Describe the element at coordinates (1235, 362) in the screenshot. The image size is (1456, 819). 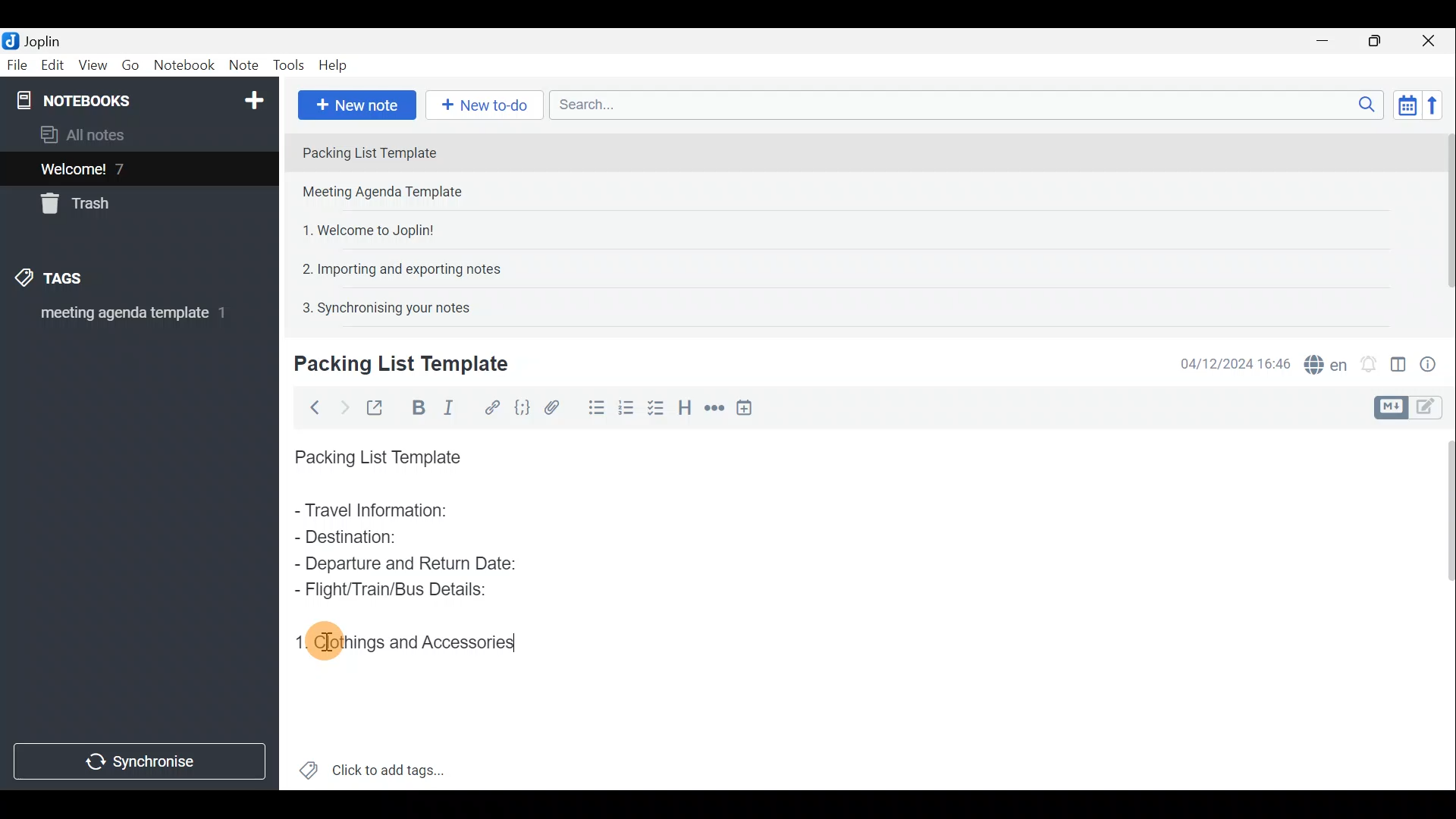
I see `Date & time` at that location.